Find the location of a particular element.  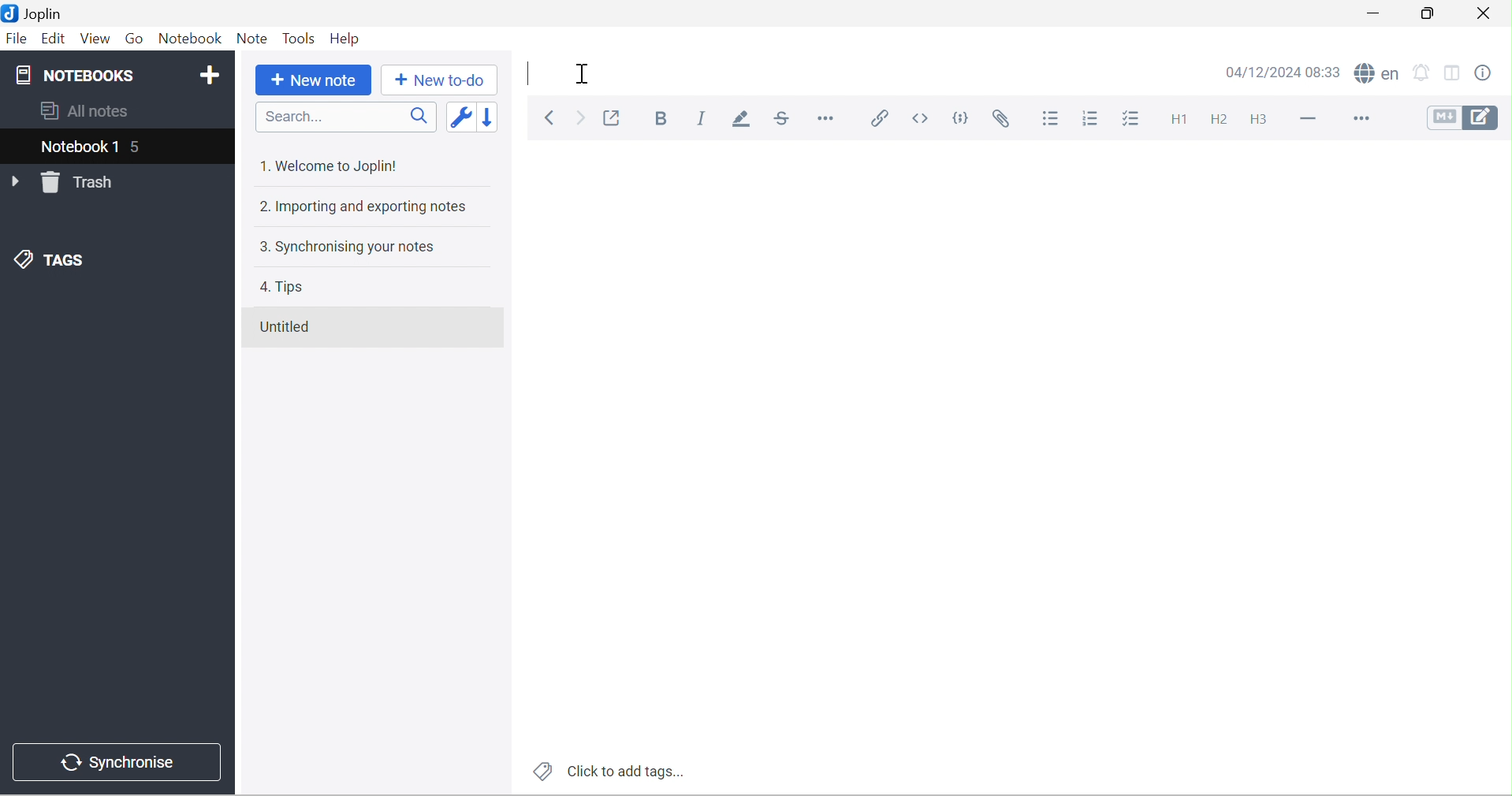

Toggle editor layouts is located at coordinates (1457, 74).